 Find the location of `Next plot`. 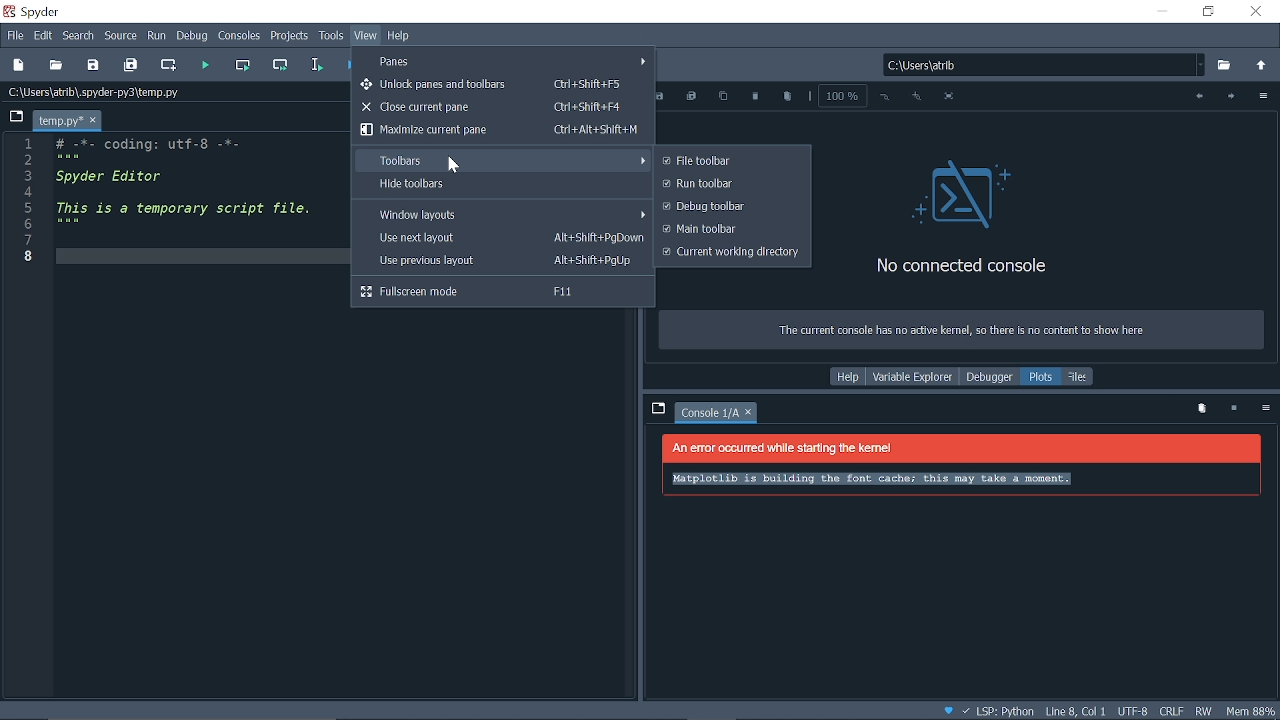

Next plot is located at coordinates (1230, 97).